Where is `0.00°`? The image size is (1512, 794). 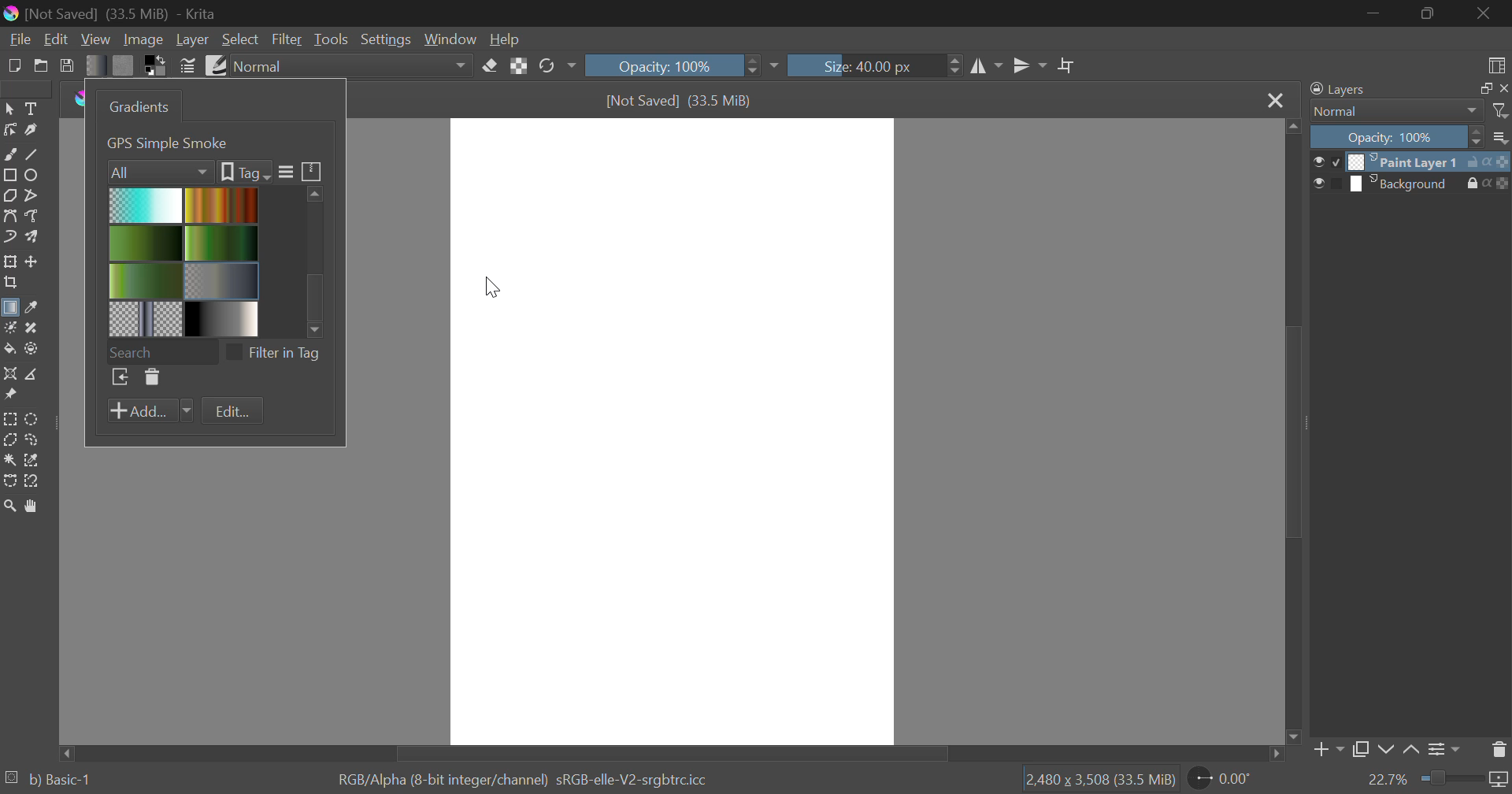
0.00° is located at coordinates (1229, 777).